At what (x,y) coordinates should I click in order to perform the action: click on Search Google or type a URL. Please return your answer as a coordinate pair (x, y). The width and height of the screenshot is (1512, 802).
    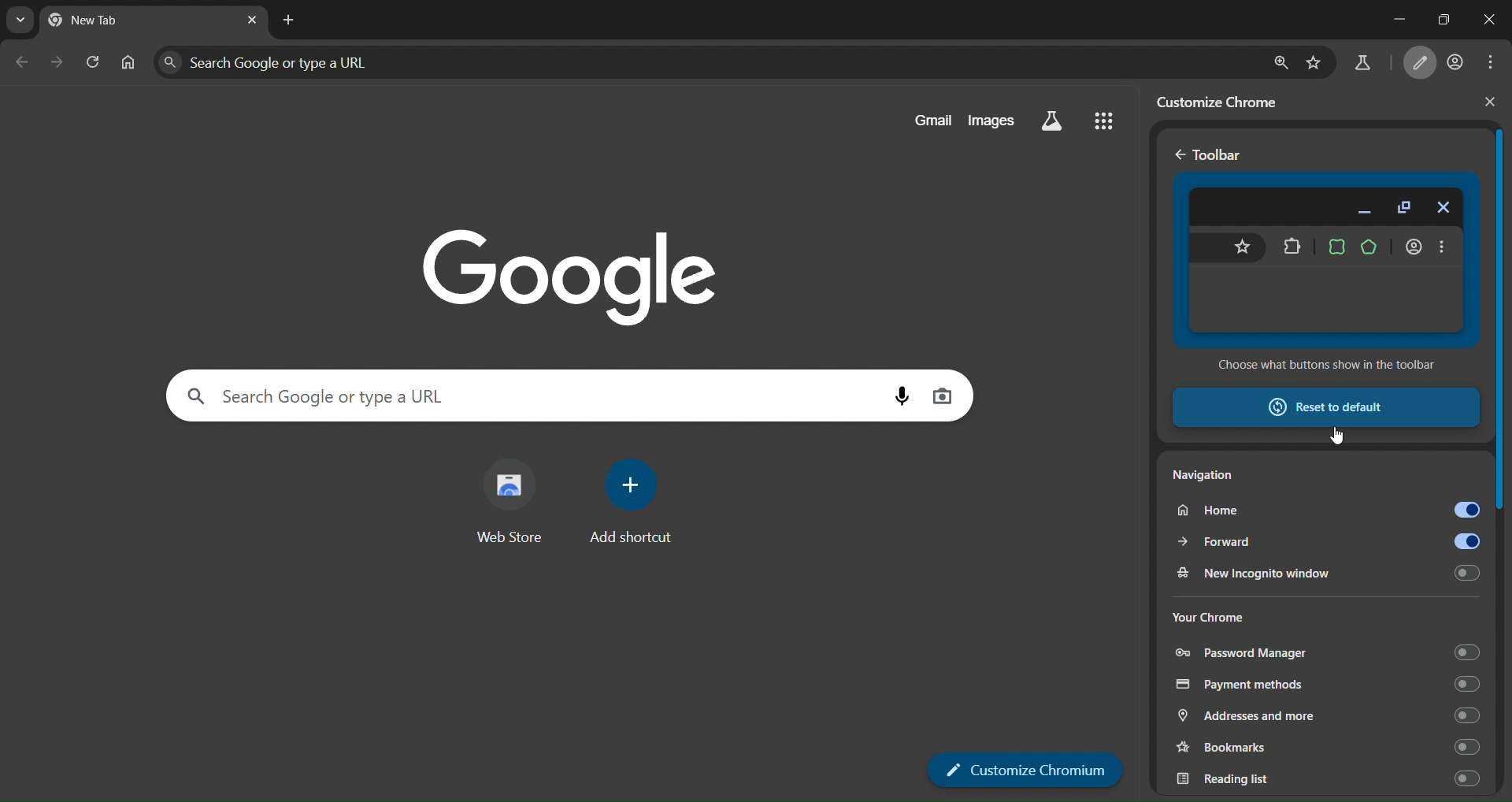
    Looking at the image, I should click on (707, 63).